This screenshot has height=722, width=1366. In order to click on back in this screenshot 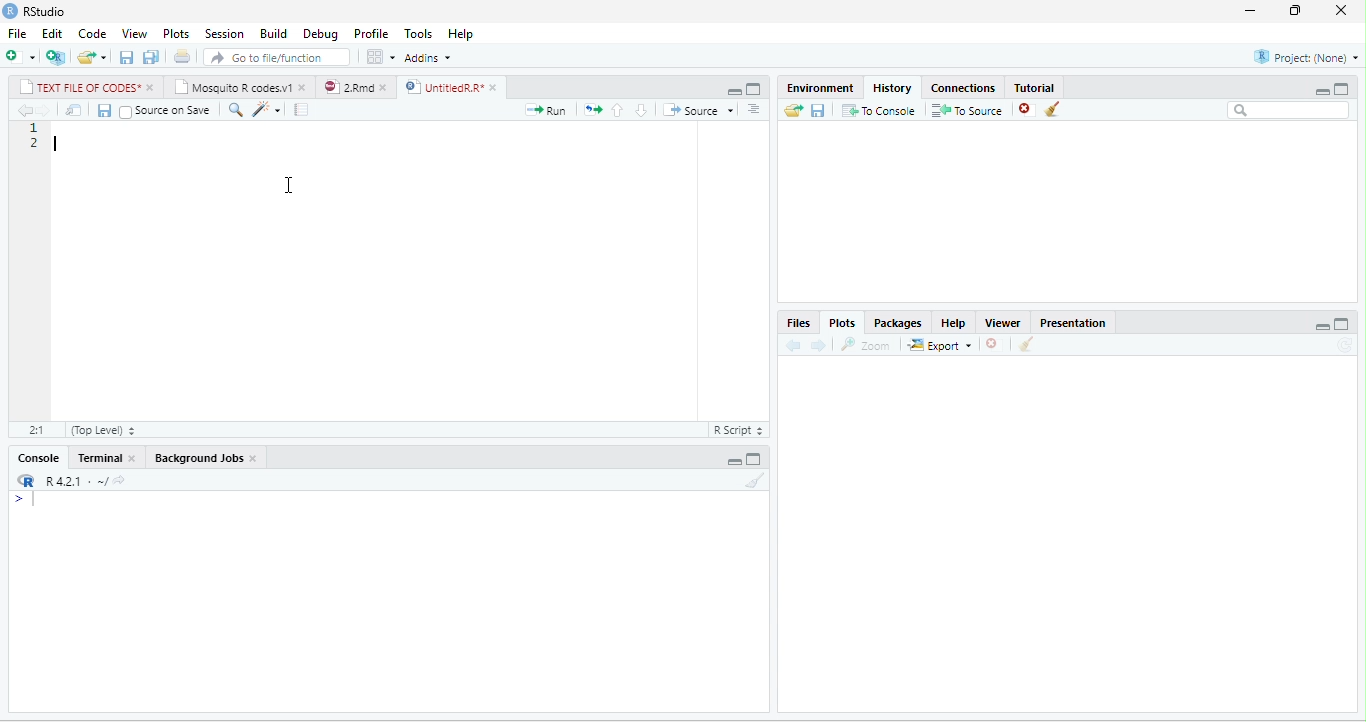, I will do `click(26, 110)`.